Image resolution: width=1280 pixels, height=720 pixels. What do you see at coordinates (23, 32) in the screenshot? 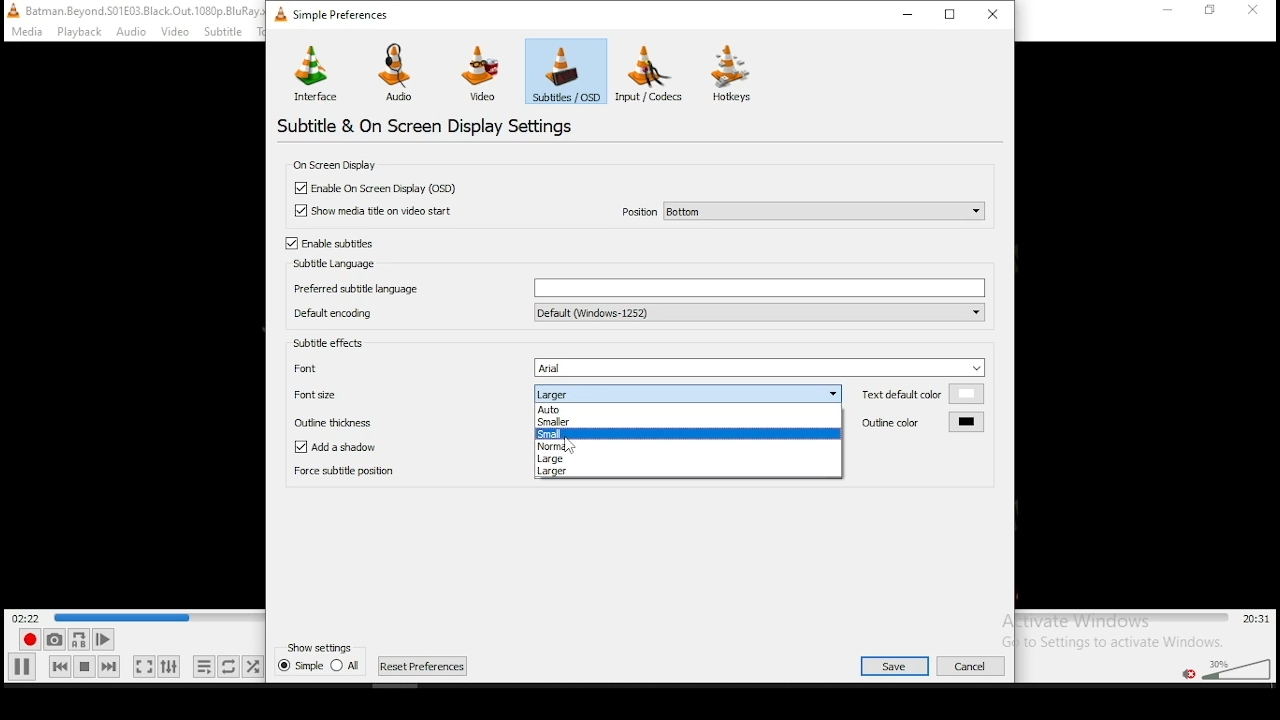
I see `` at bounding box center [23, 32].